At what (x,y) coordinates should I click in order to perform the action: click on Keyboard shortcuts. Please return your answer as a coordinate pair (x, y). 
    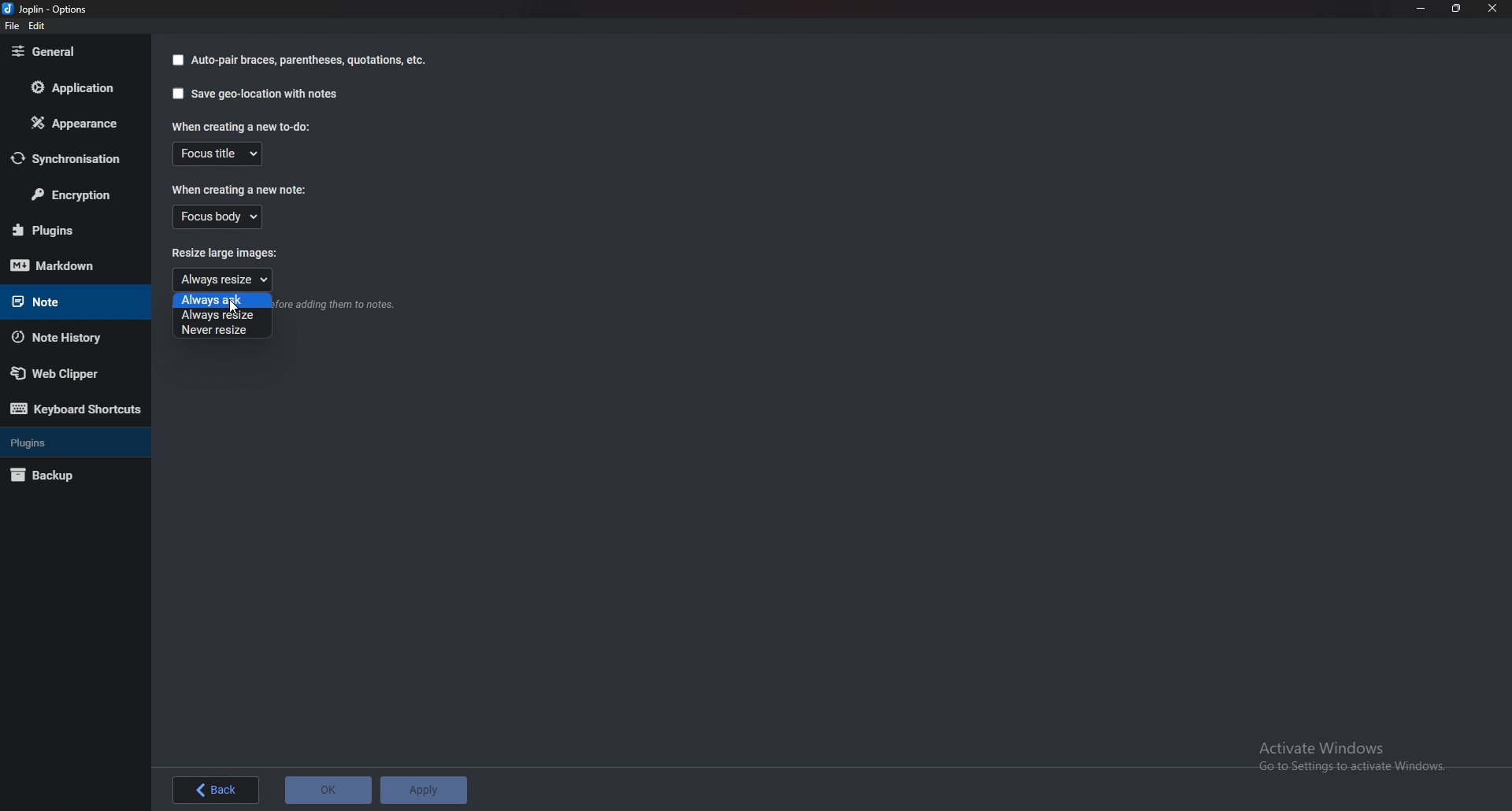
    Looking at the image, I should click on (76, 412).